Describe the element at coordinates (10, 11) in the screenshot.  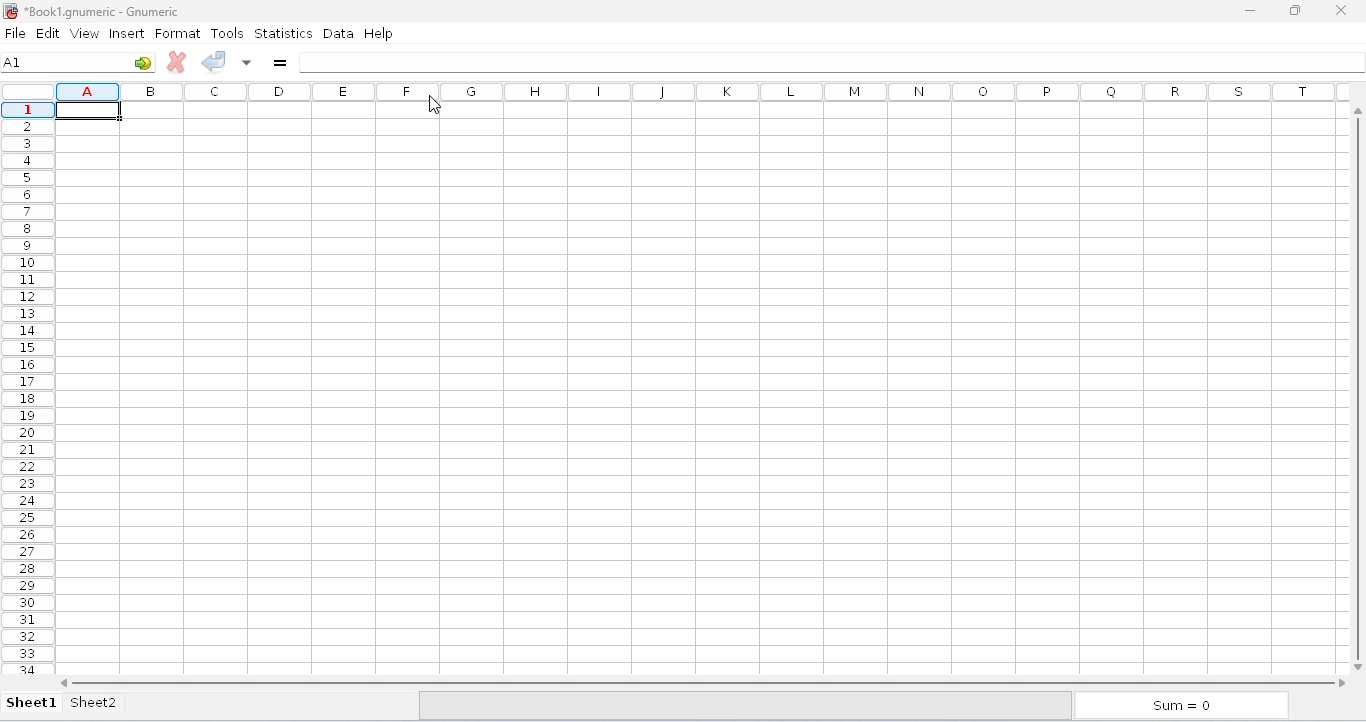
I see `logo` at that location.